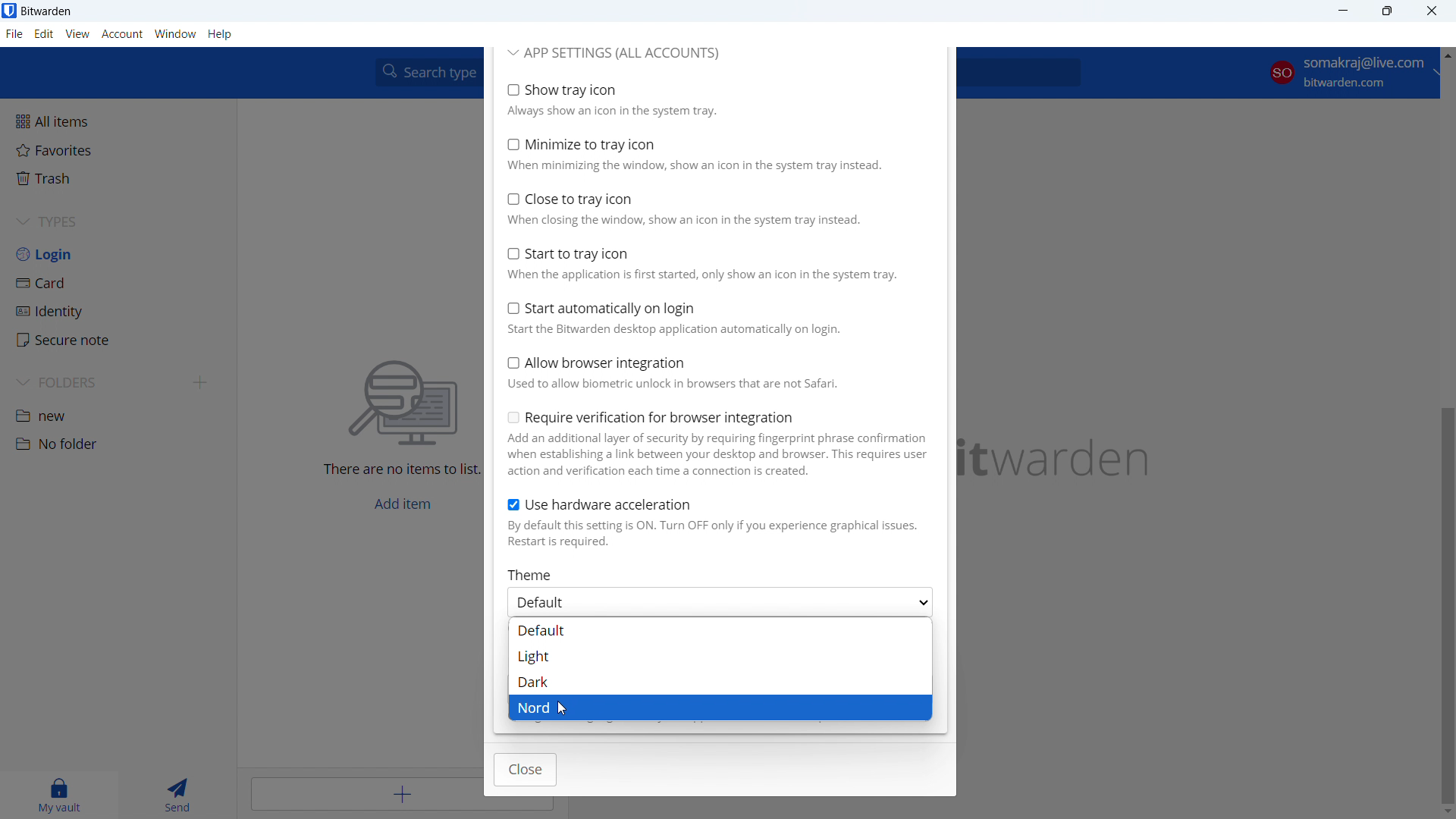  What do you see at coordinates (714, 209) in the screenshot?
I see `close to tray icon` at bounding box center [714, 209].